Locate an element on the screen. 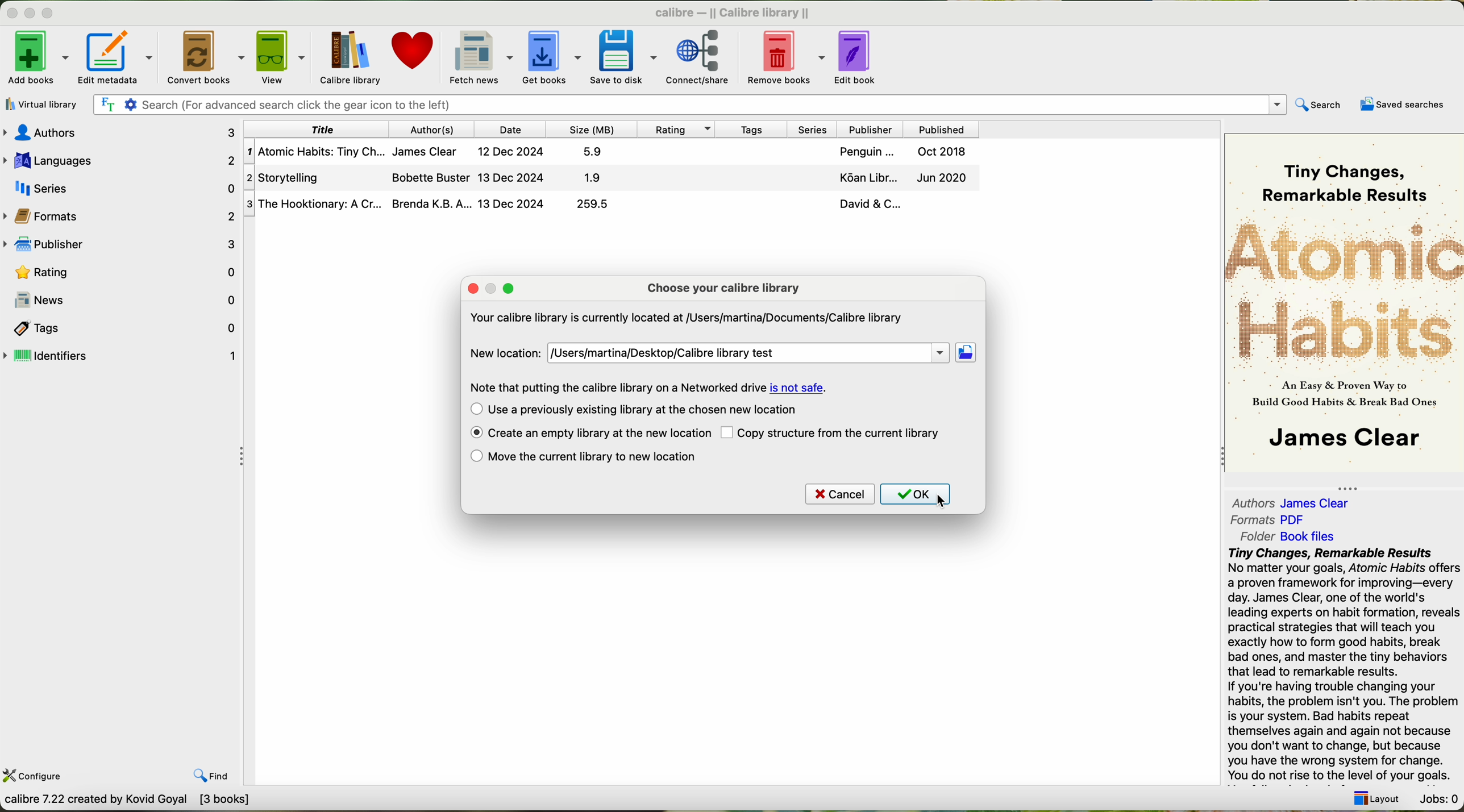  tags is located at coordinates (749, 128).